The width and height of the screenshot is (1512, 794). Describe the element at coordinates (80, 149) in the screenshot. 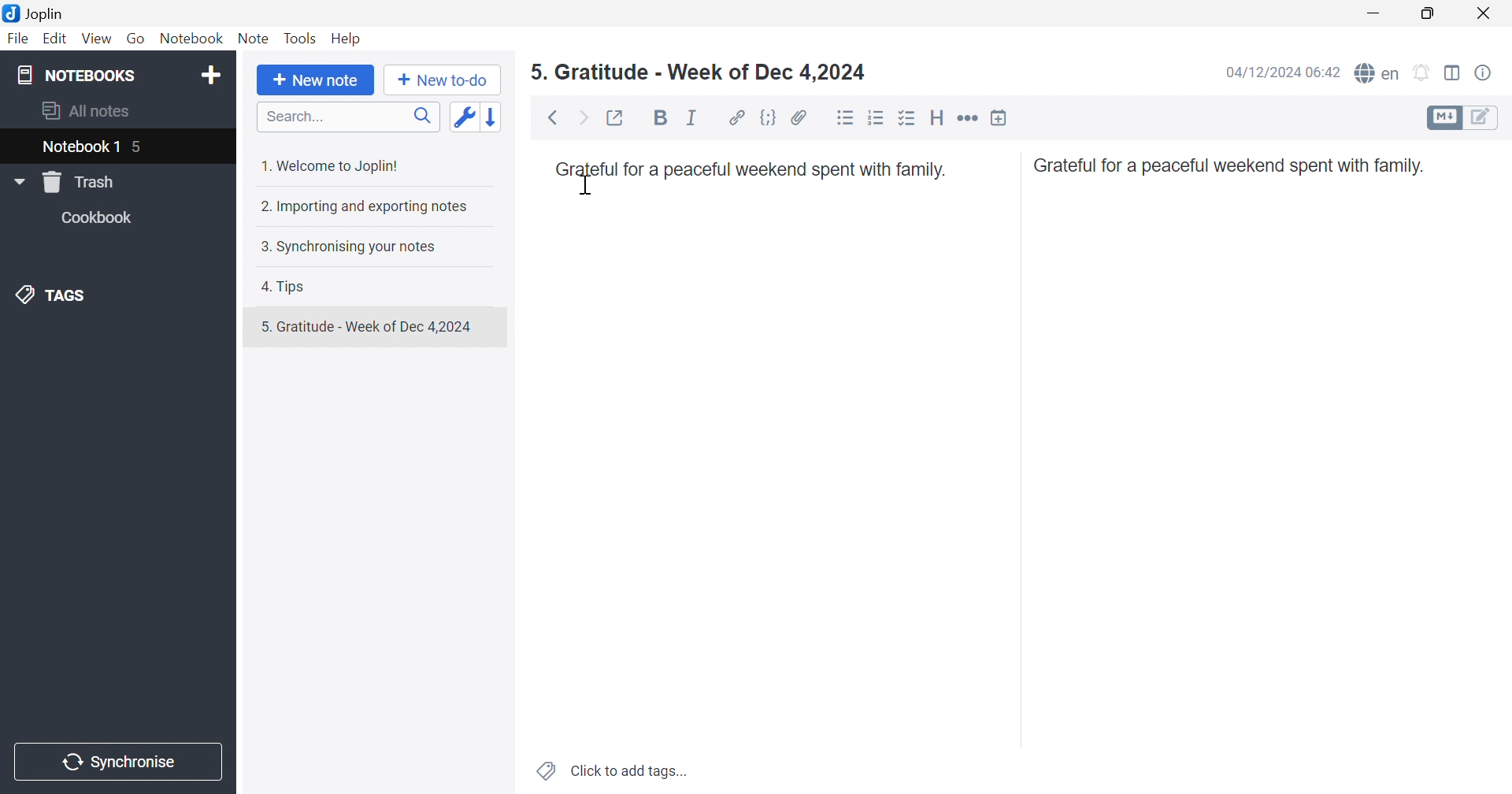

I see `Notebook 1` at that location.